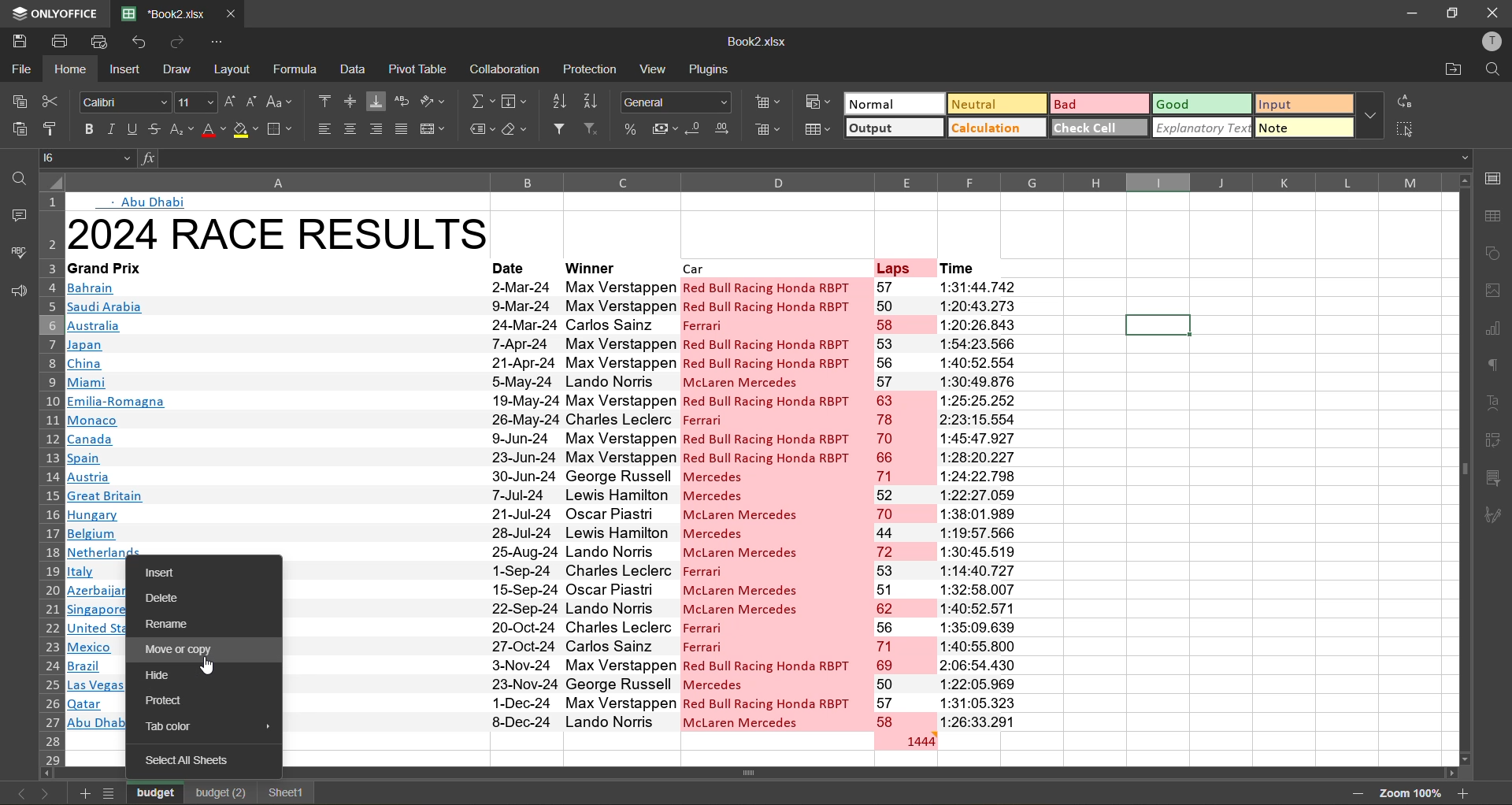 Image resolution: width=1512 pixels, height=805 pixels. Describe the element at coordinates (297, 69) in the screenshot. I see `formula` at that location.